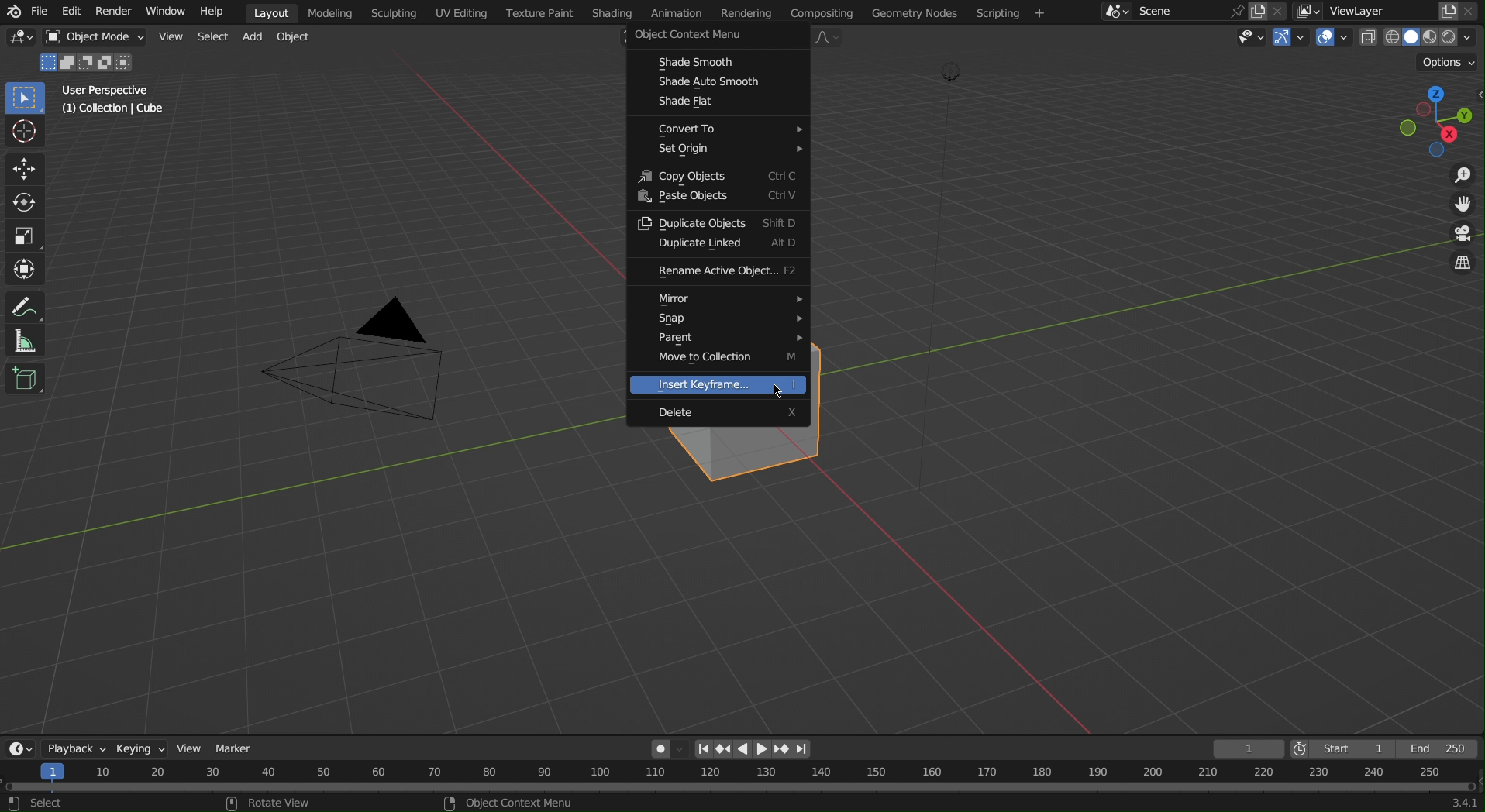 The width and height of the screenshot is (1485, 812). Describe the element at coordinates (716, 335) in the screenshot. I see `Parent` at that location.